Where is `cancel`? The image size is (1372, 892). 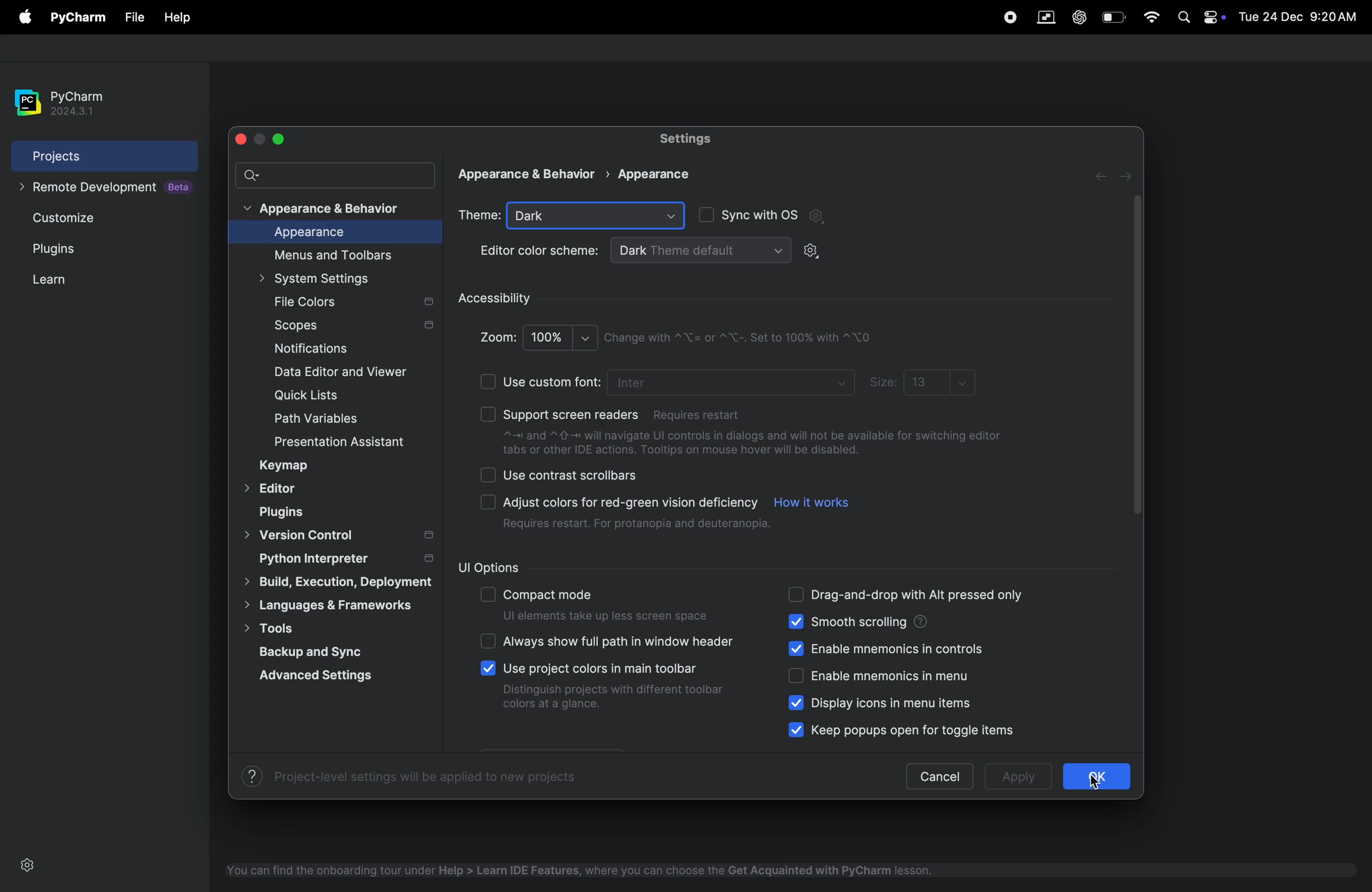
cancel is located at coordinates (939, 776).